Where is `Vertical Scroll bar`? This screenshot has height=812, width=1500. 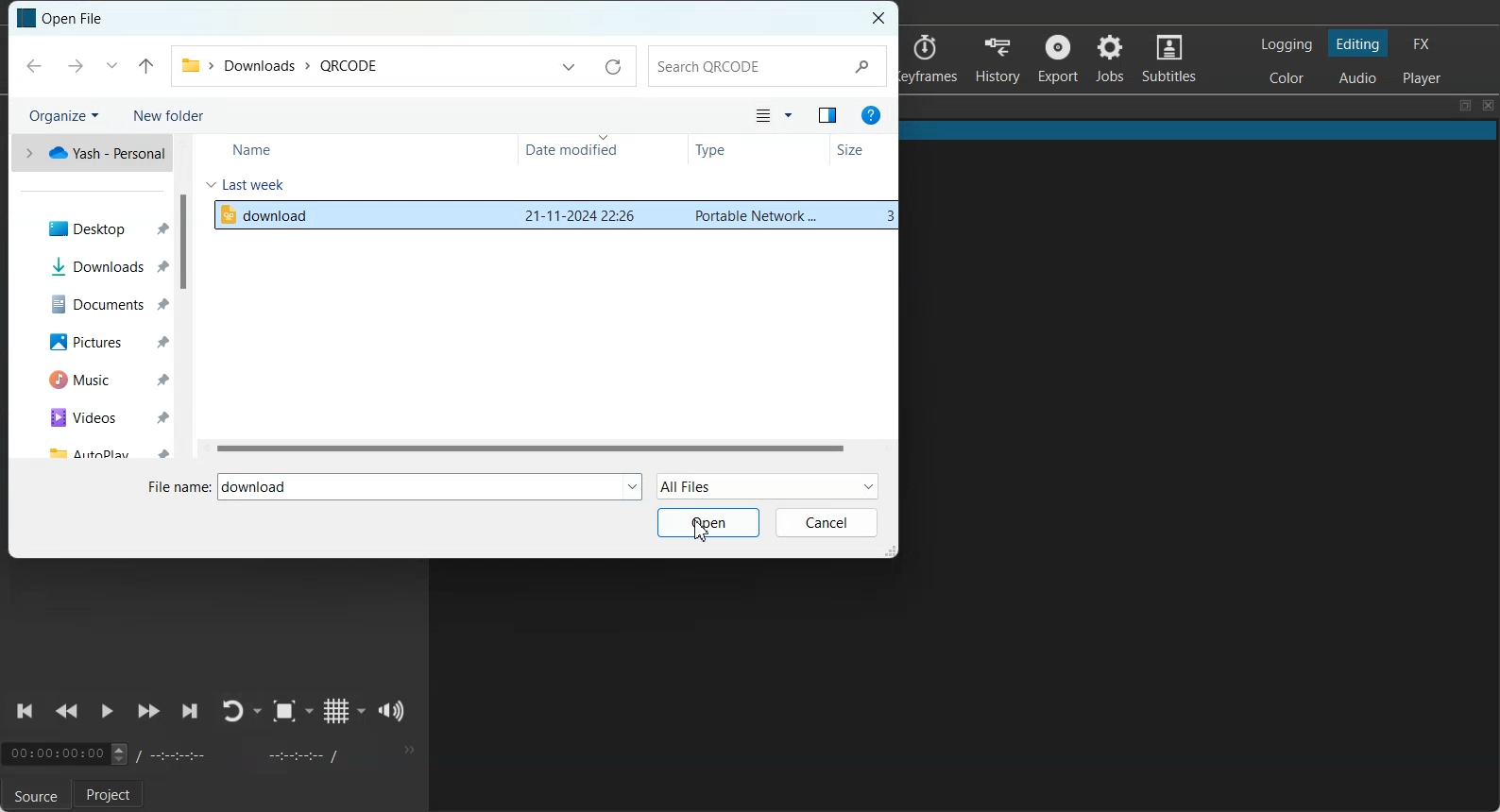 Vertical Scroll bar is located at coordinates (185, 241).